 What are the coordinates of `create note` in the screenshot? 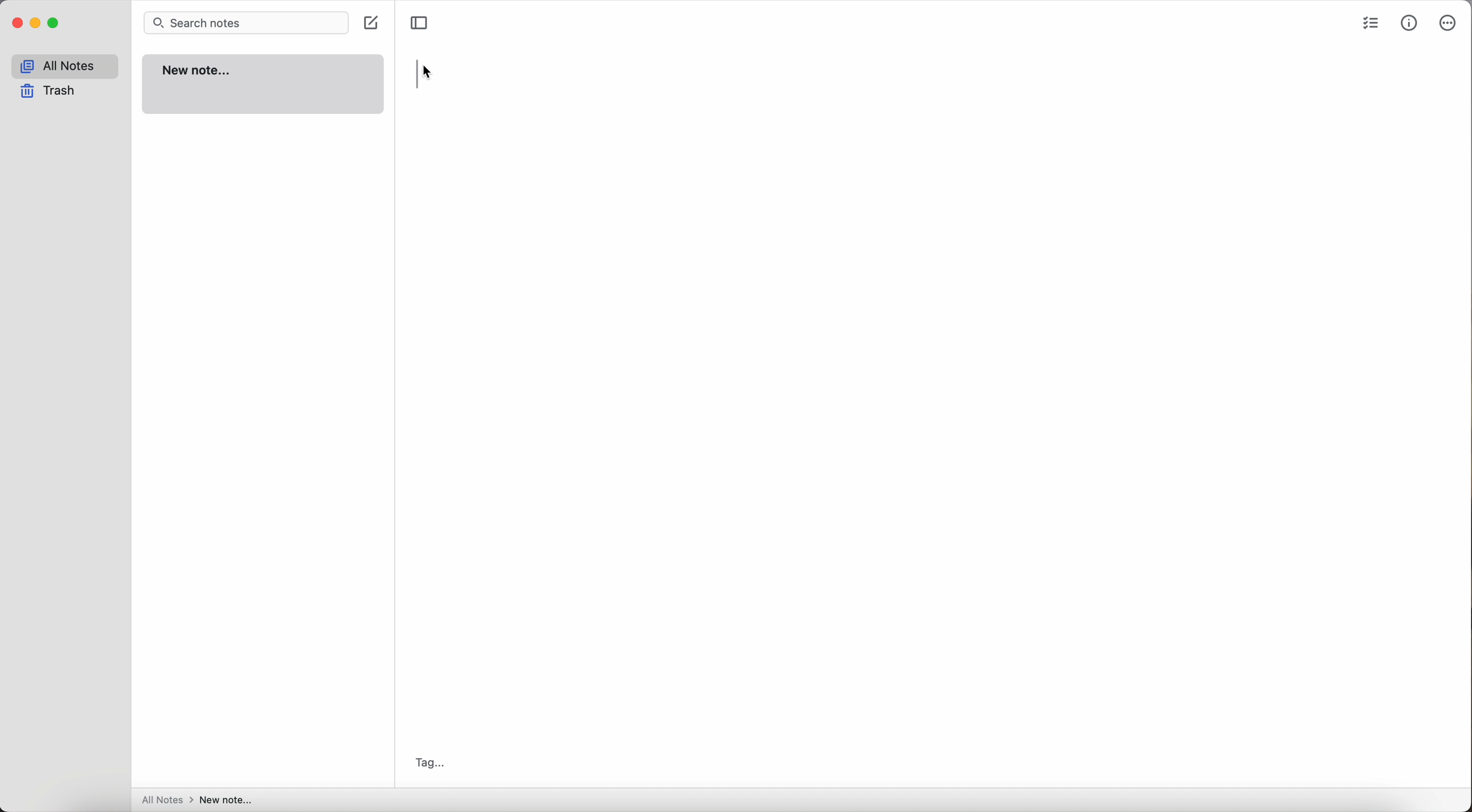 It's located at (374, 23).